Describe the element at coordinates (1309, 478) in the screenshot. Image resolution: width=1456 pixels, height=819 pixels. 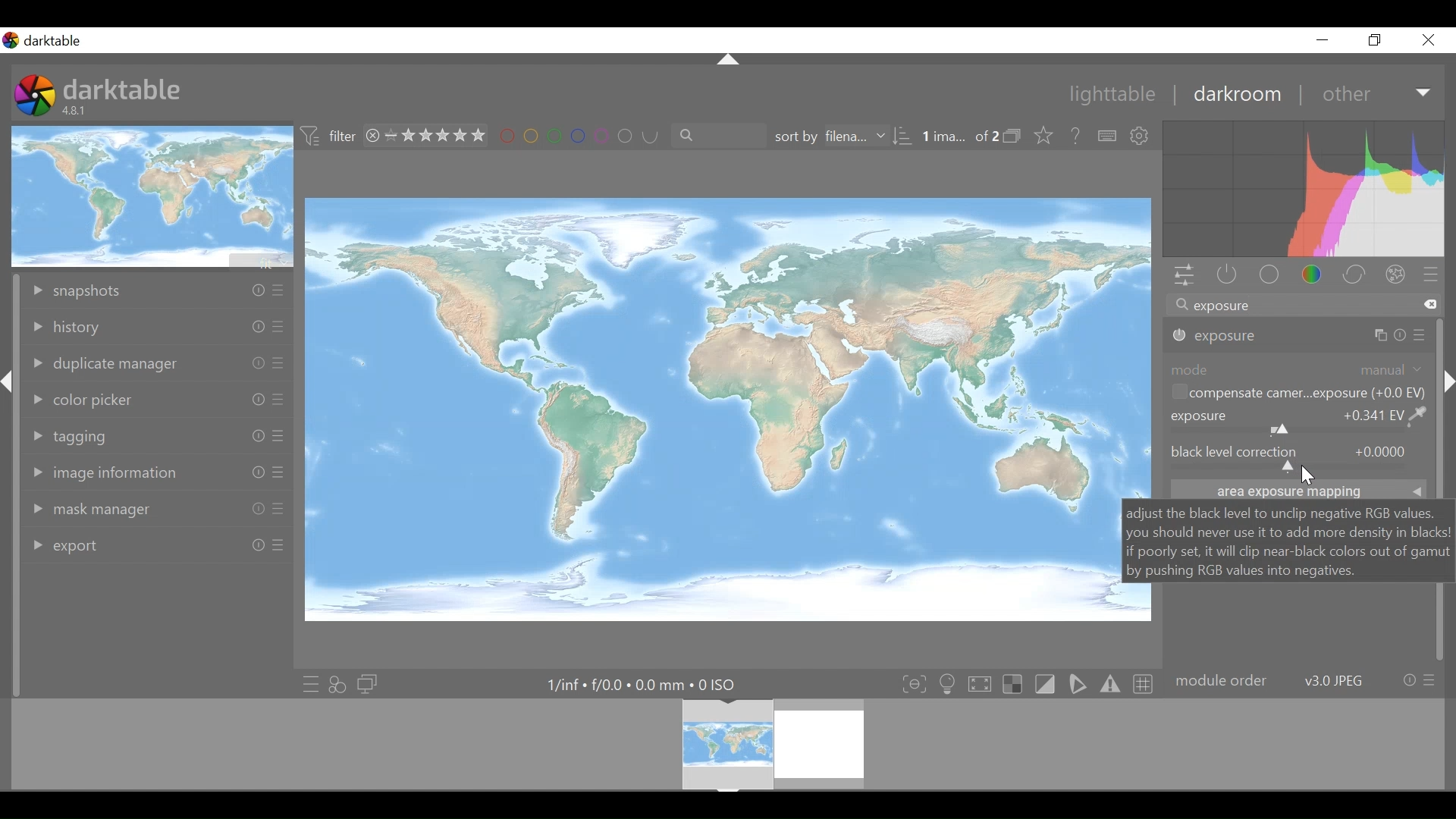
I see `cursor` at that location.